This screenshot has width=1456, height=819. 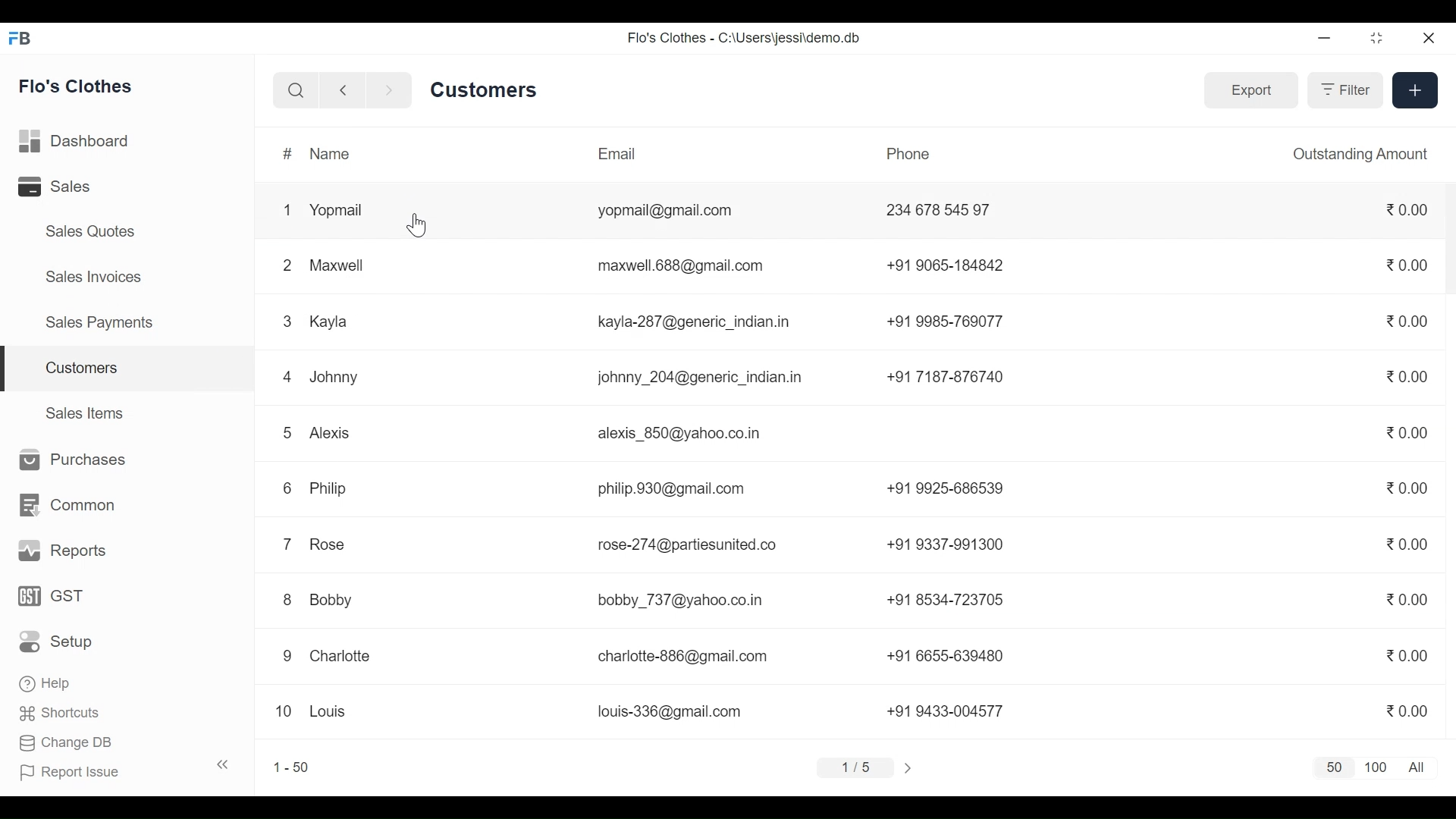 I want to click on Setup, so click(x=60, y=641).